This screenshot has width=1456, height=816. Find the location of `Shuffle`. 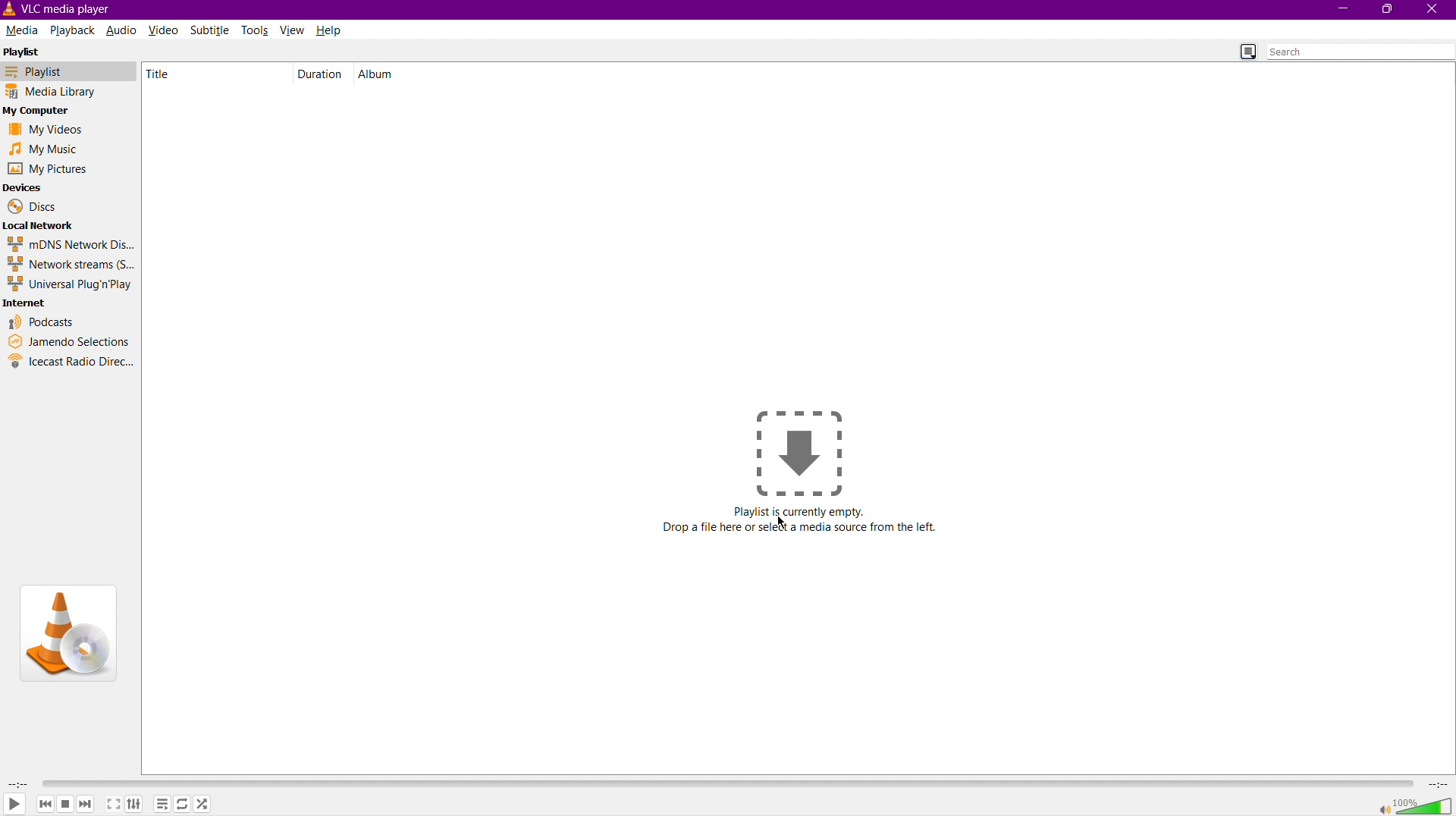

Shuffle is located at coordinates (204, 805).